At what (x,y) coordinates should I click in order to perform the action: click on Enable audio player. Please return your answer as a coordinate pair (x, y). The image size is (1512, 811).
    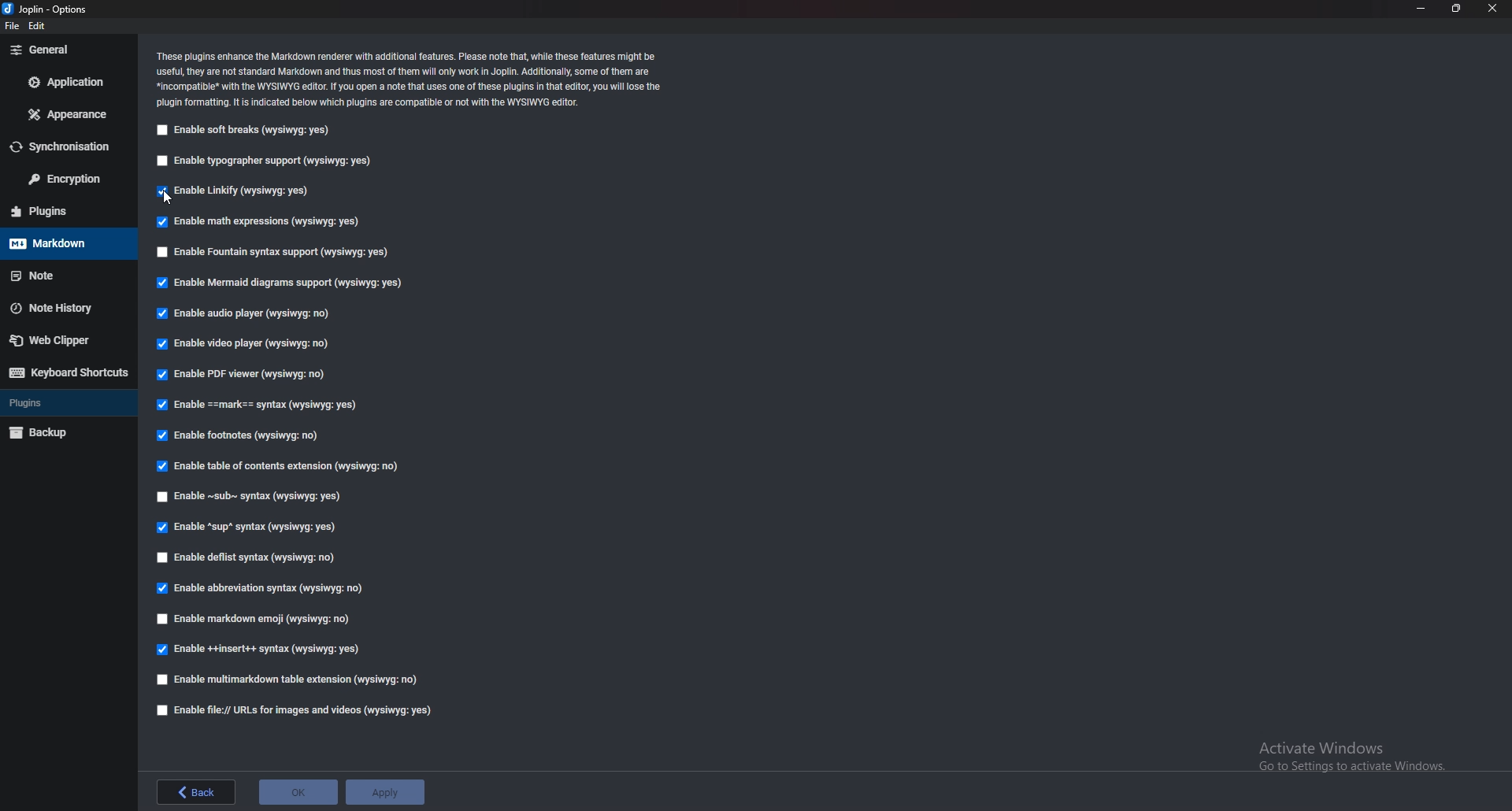
    Looking at the image, I should click on (248, 313).